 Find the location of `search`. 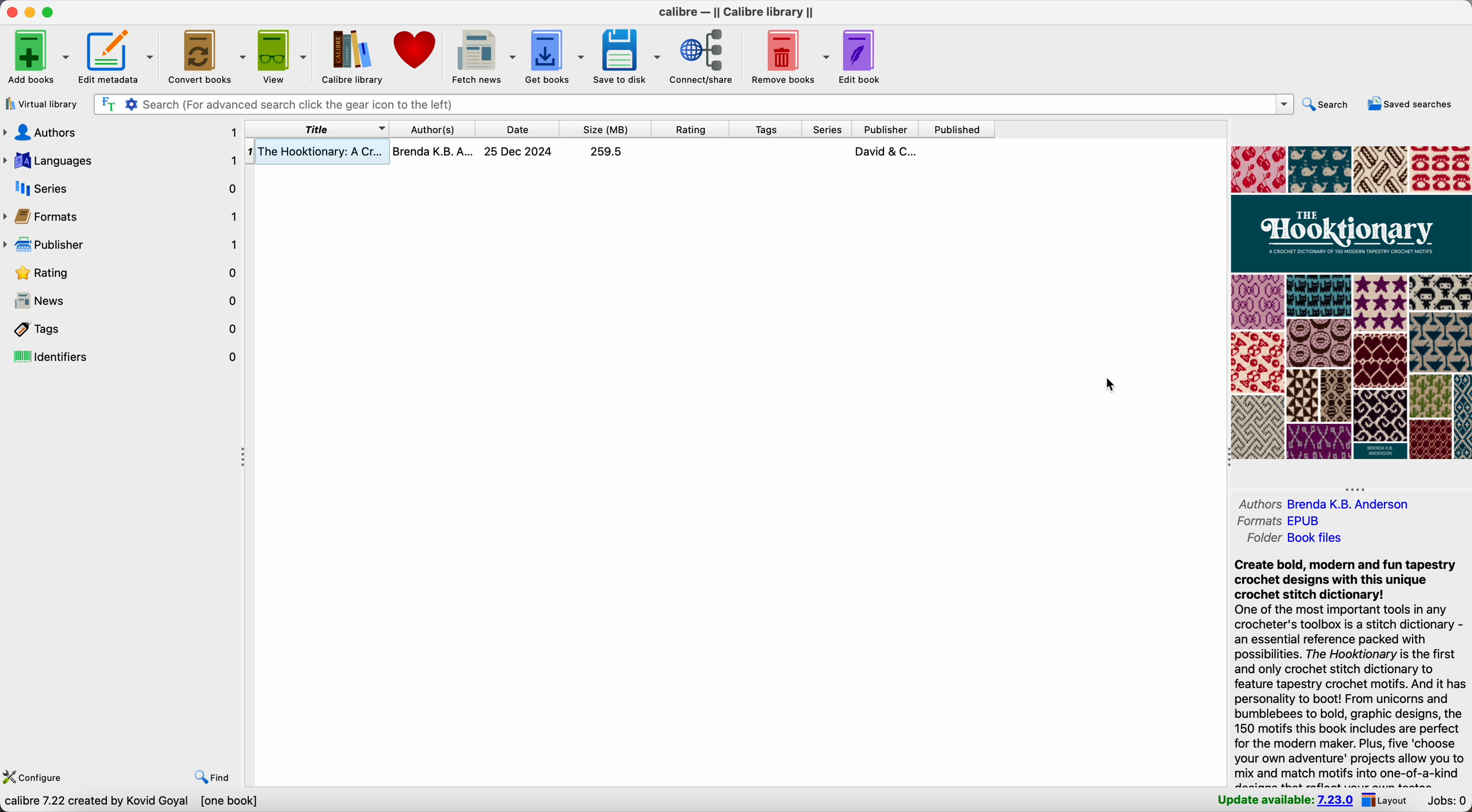

search is located at coordinates (1324, 105).